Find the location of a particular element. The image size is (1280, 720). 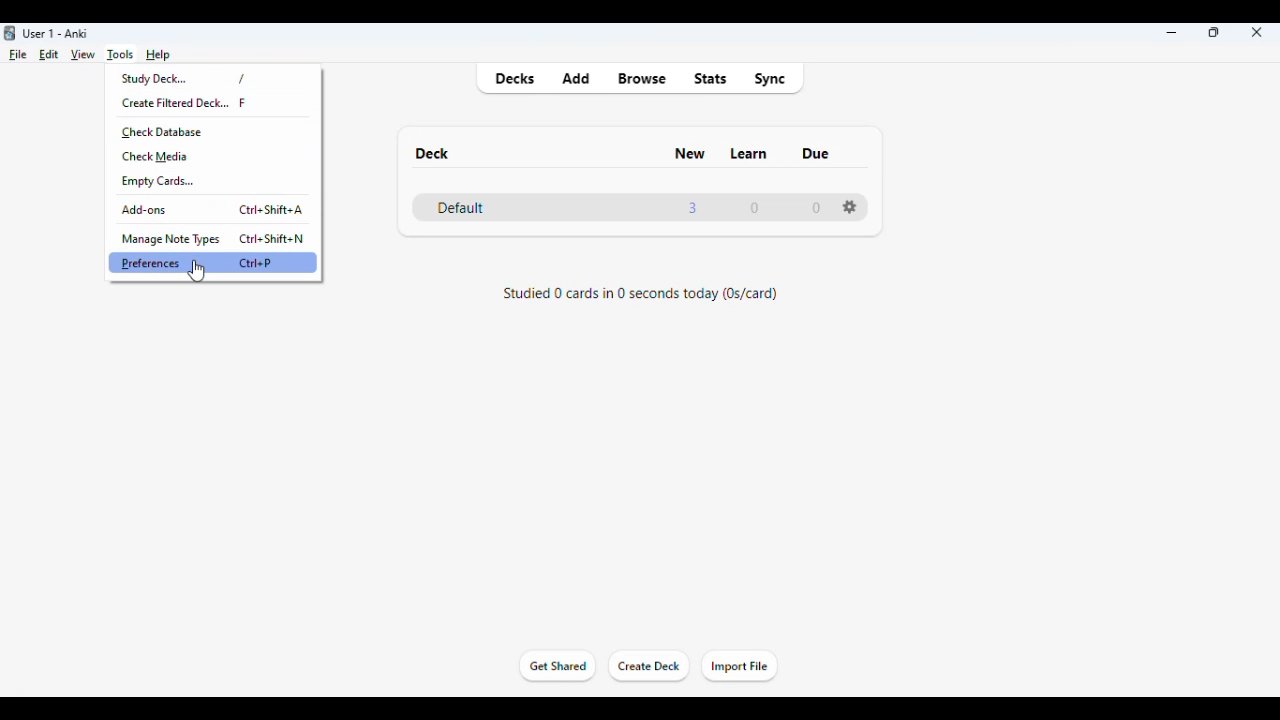

edit is located at coordinates (49, 54).